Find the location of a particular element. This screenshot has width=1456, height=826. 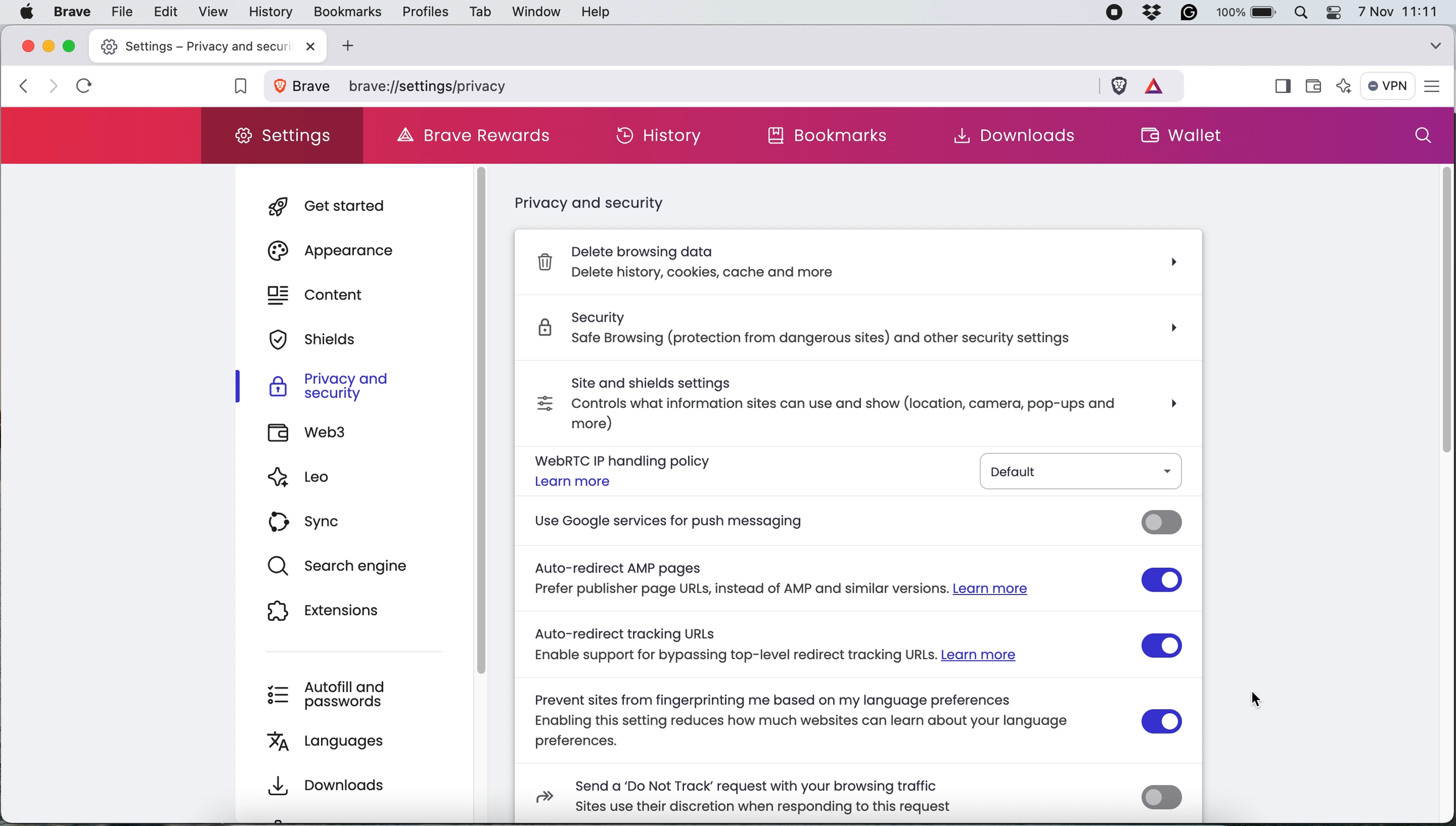

battery is located at coordinates (1249, 12).